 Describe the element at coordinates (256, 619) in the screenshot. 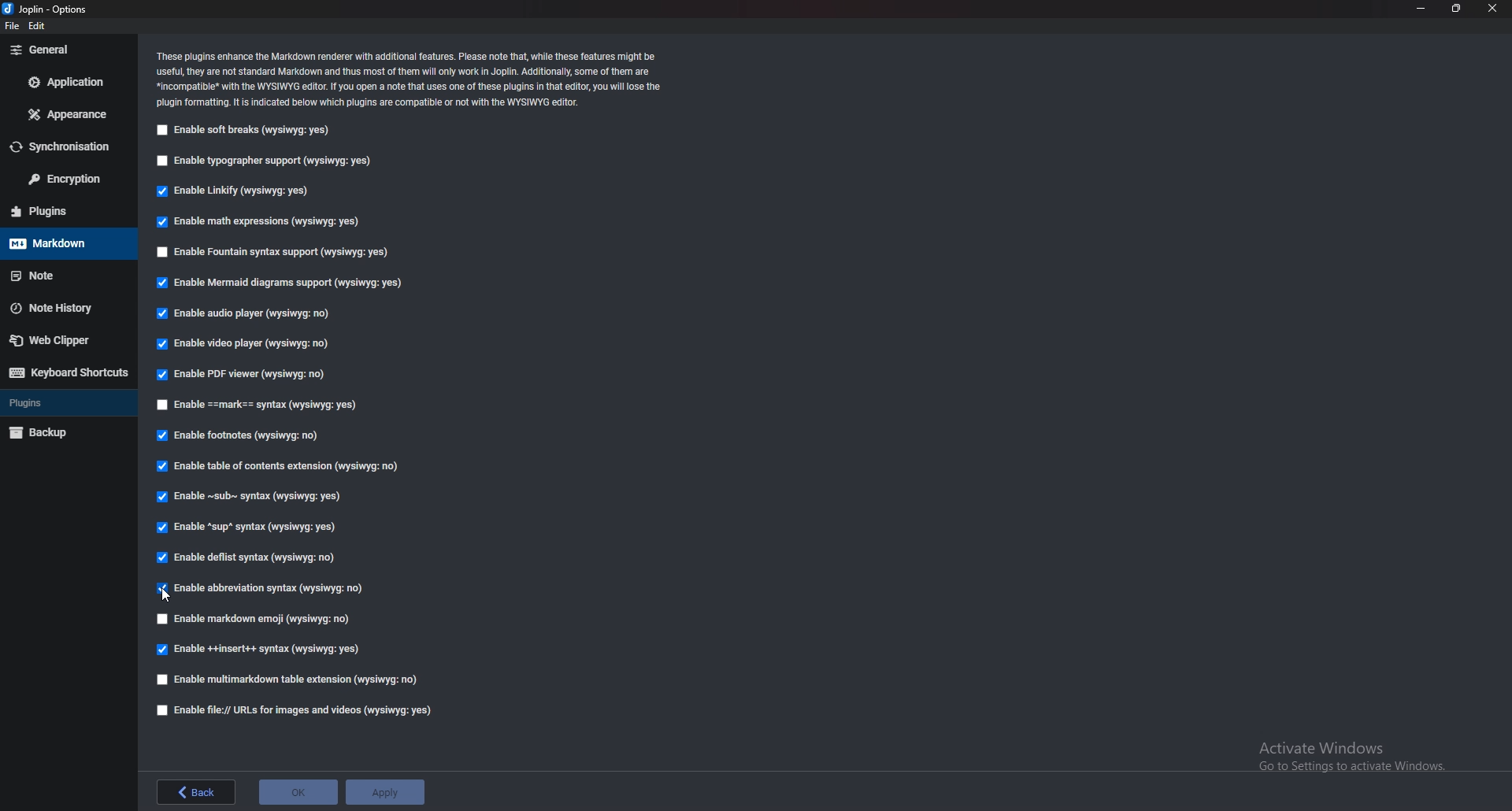

I see `Enable markdown emoji` at that location.